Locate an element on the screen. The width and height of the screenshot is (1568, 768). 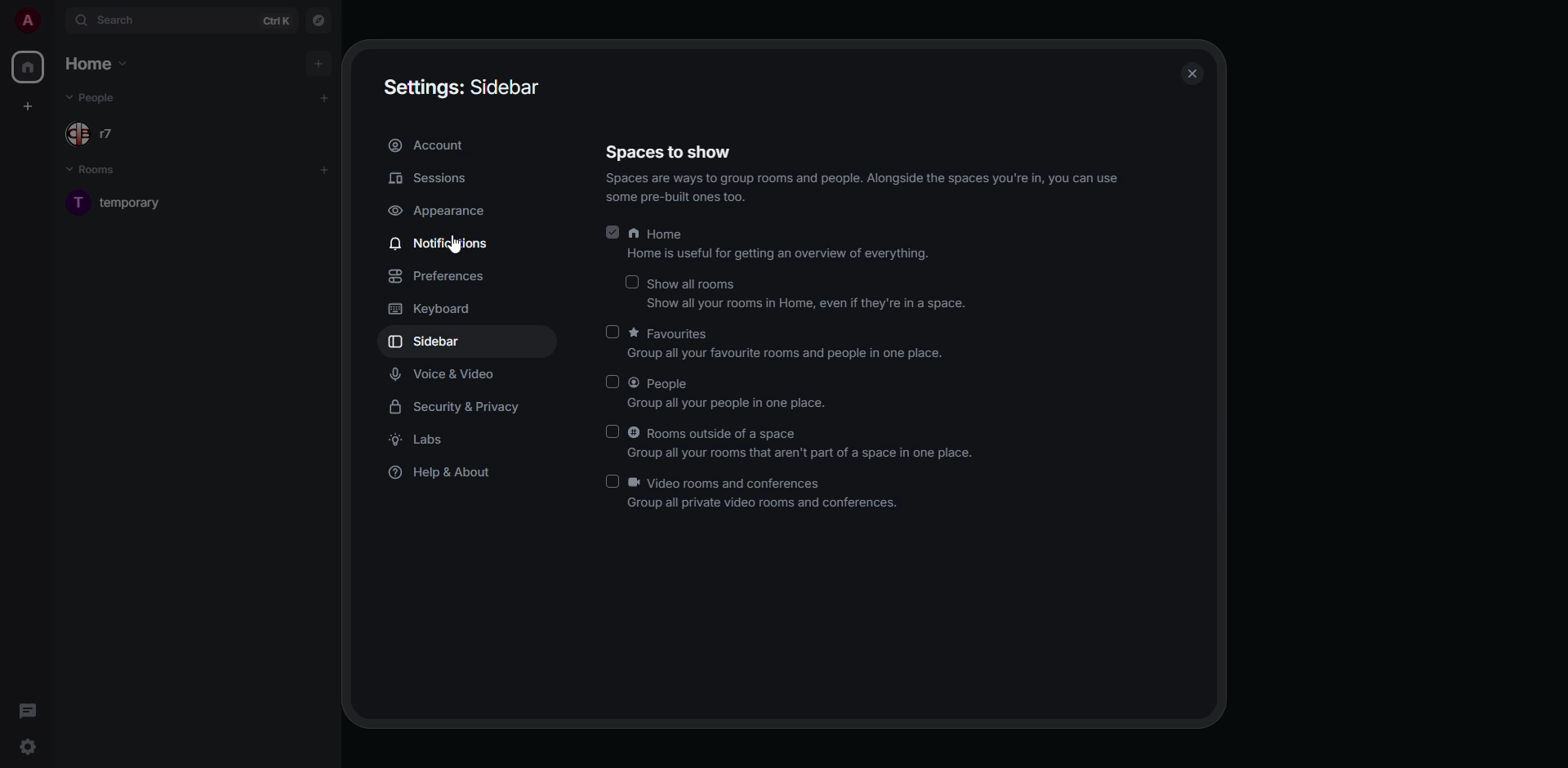
sessions is located at coordinates (430, 179).